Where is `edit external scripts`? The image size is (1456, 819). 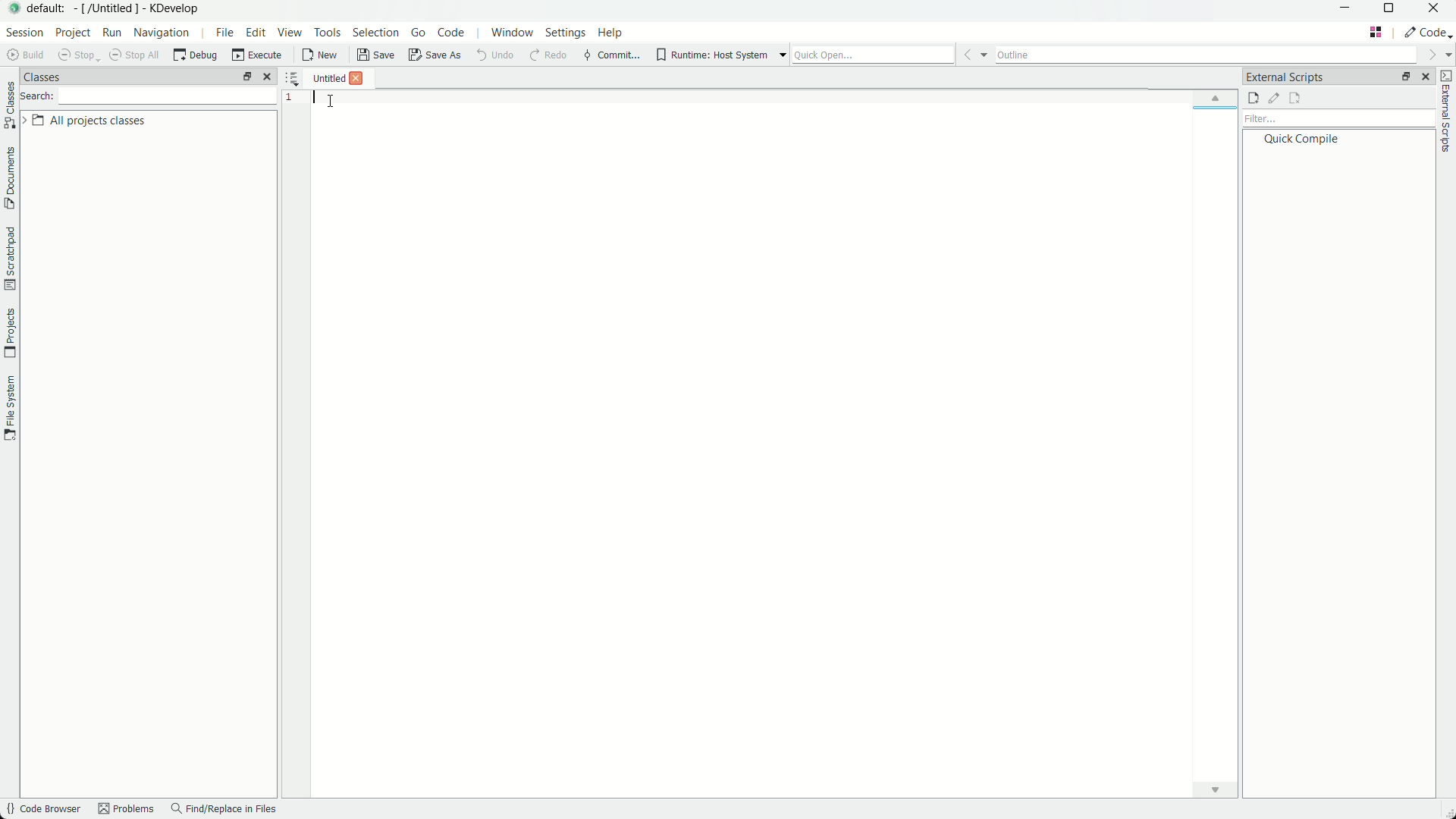 edit external scripts is located at coordinates (1274, 99).